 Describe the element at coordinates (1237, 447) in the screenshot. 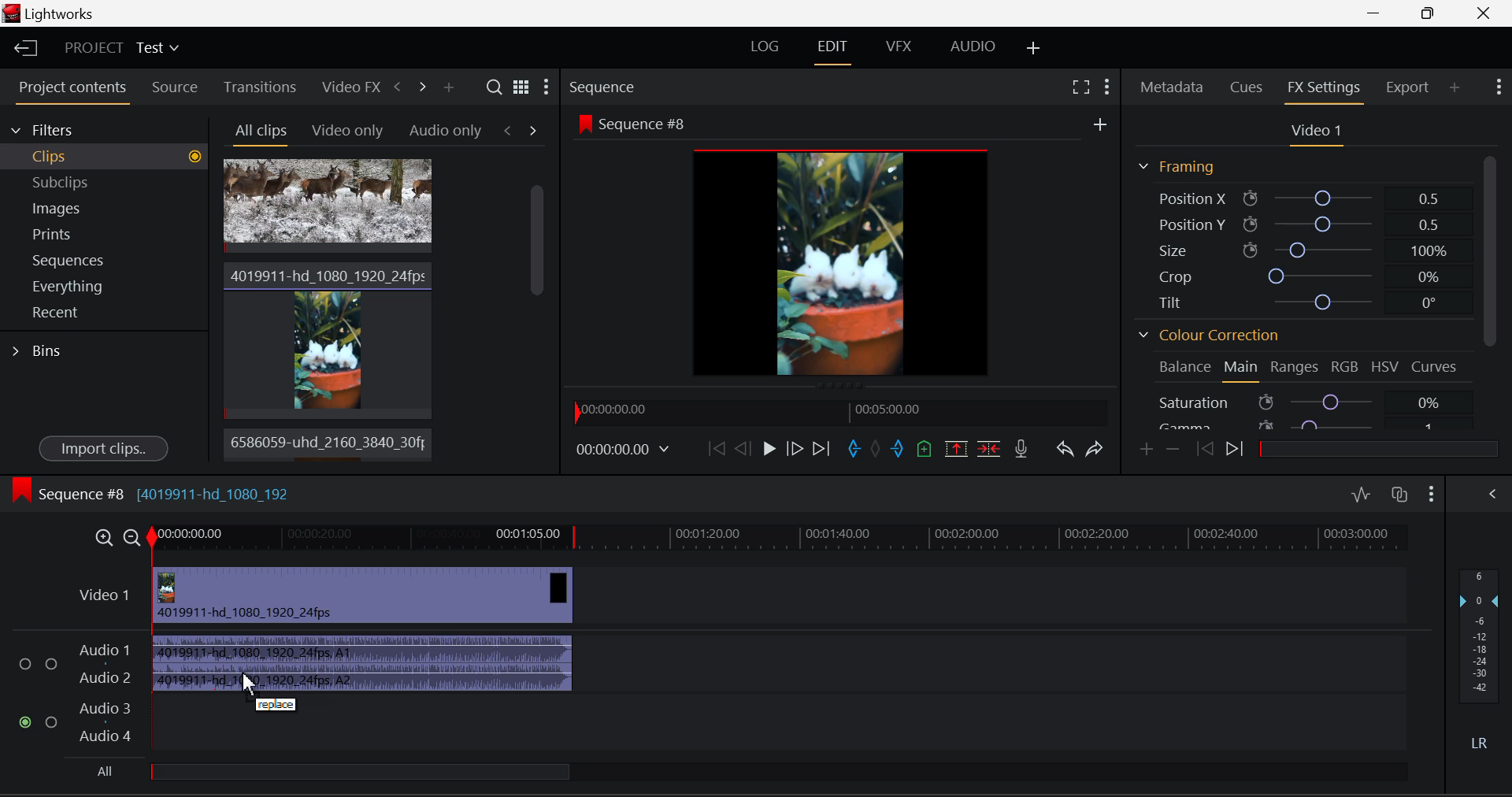

I see `Next keyframe` at that location.